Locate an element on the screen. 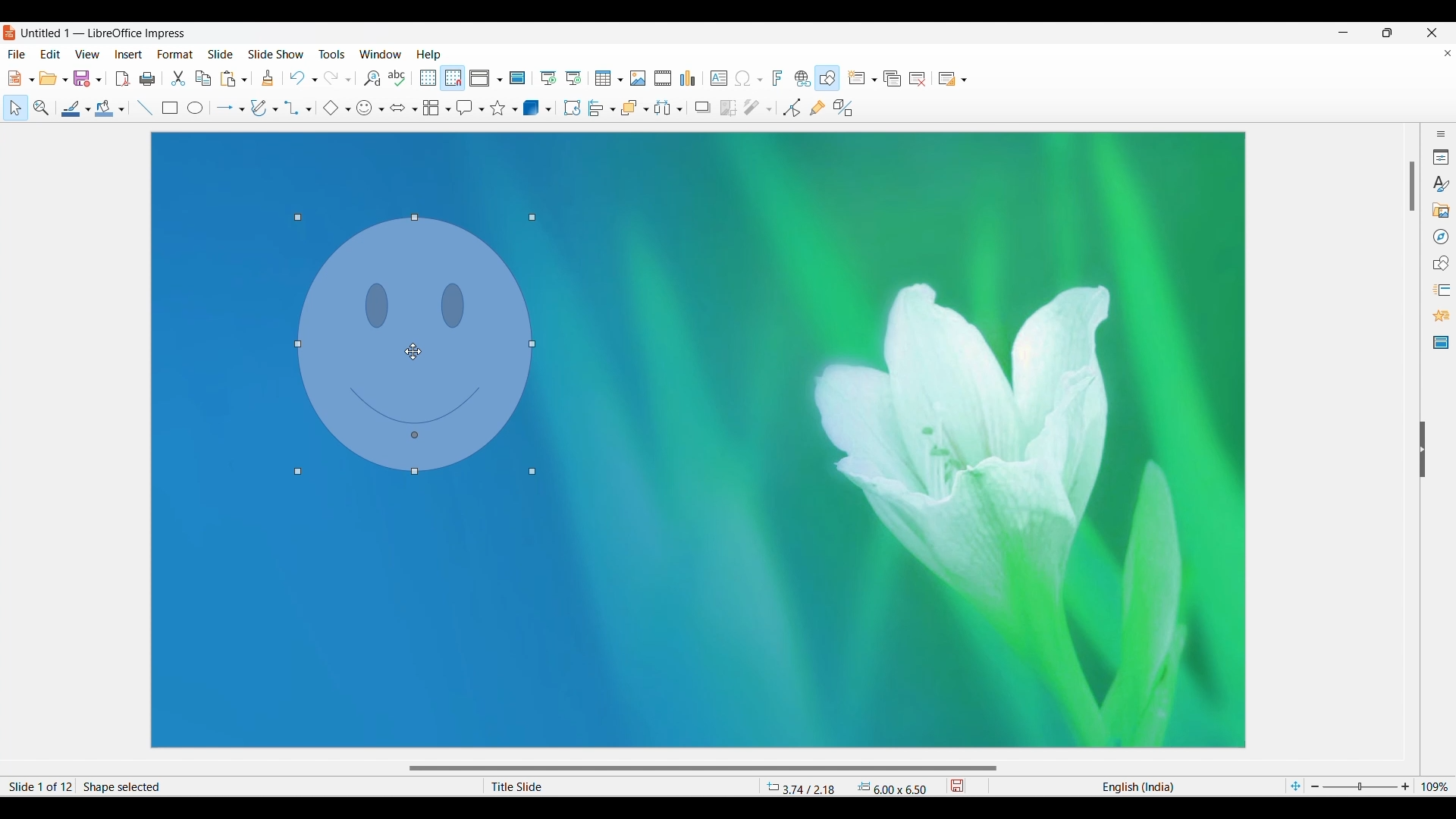  Callout shape options is located at coordinates (482, 110).